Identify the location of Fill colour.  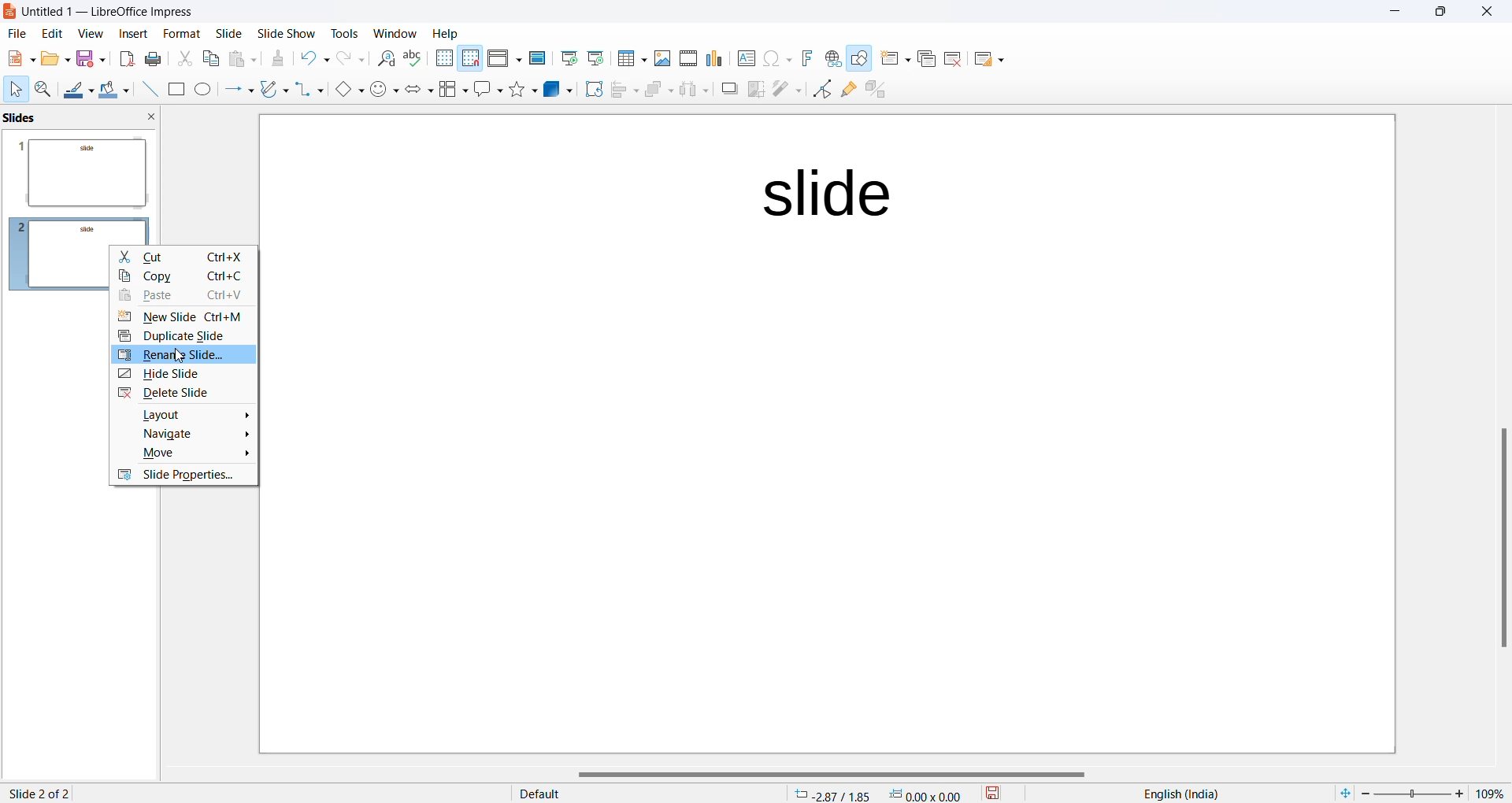
(112, 89).